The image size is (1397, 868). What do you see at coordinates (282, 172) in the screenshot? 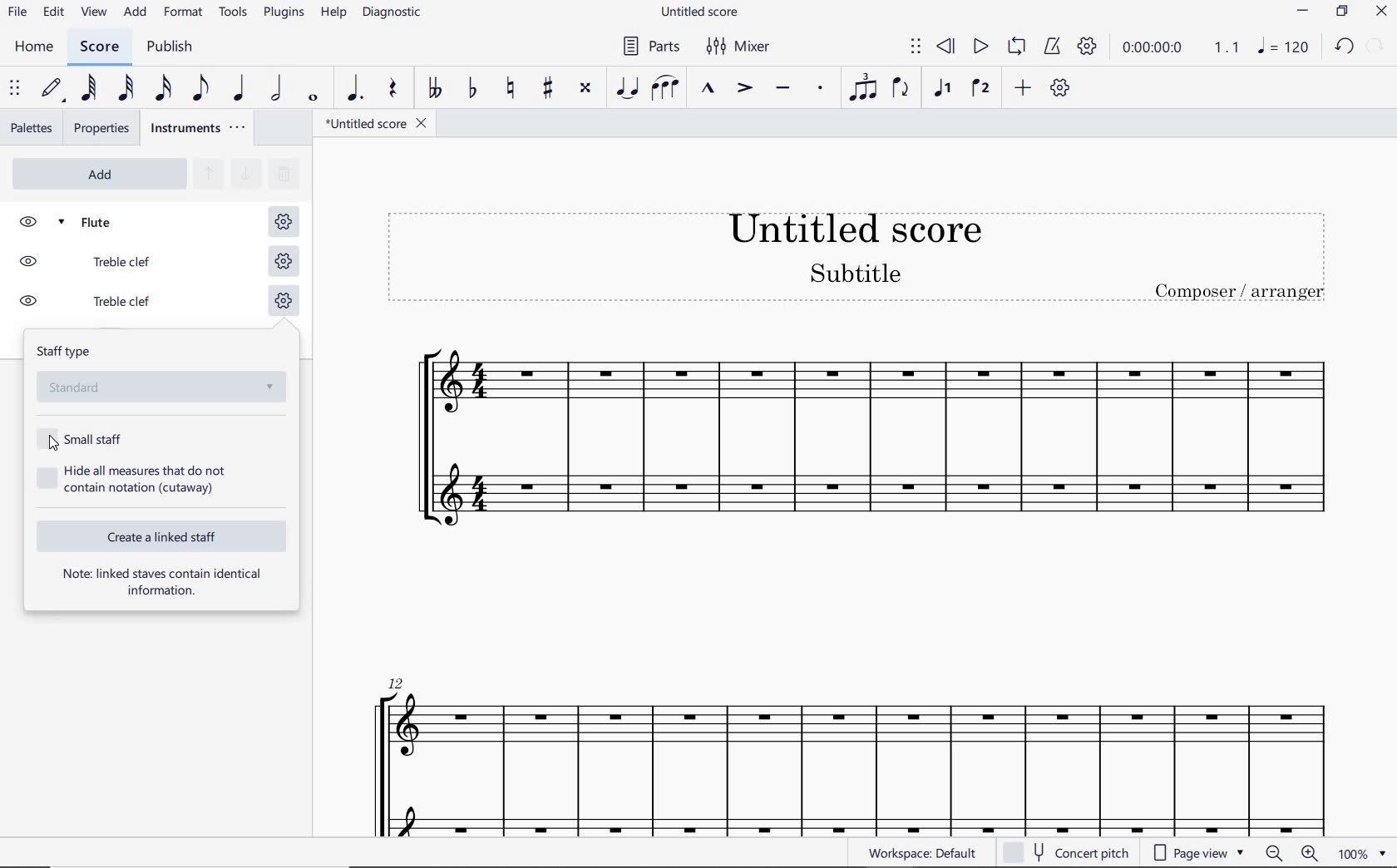
I see `REMOVE SELECTED INSTRUMENTS` at bounding box center [282, 172].